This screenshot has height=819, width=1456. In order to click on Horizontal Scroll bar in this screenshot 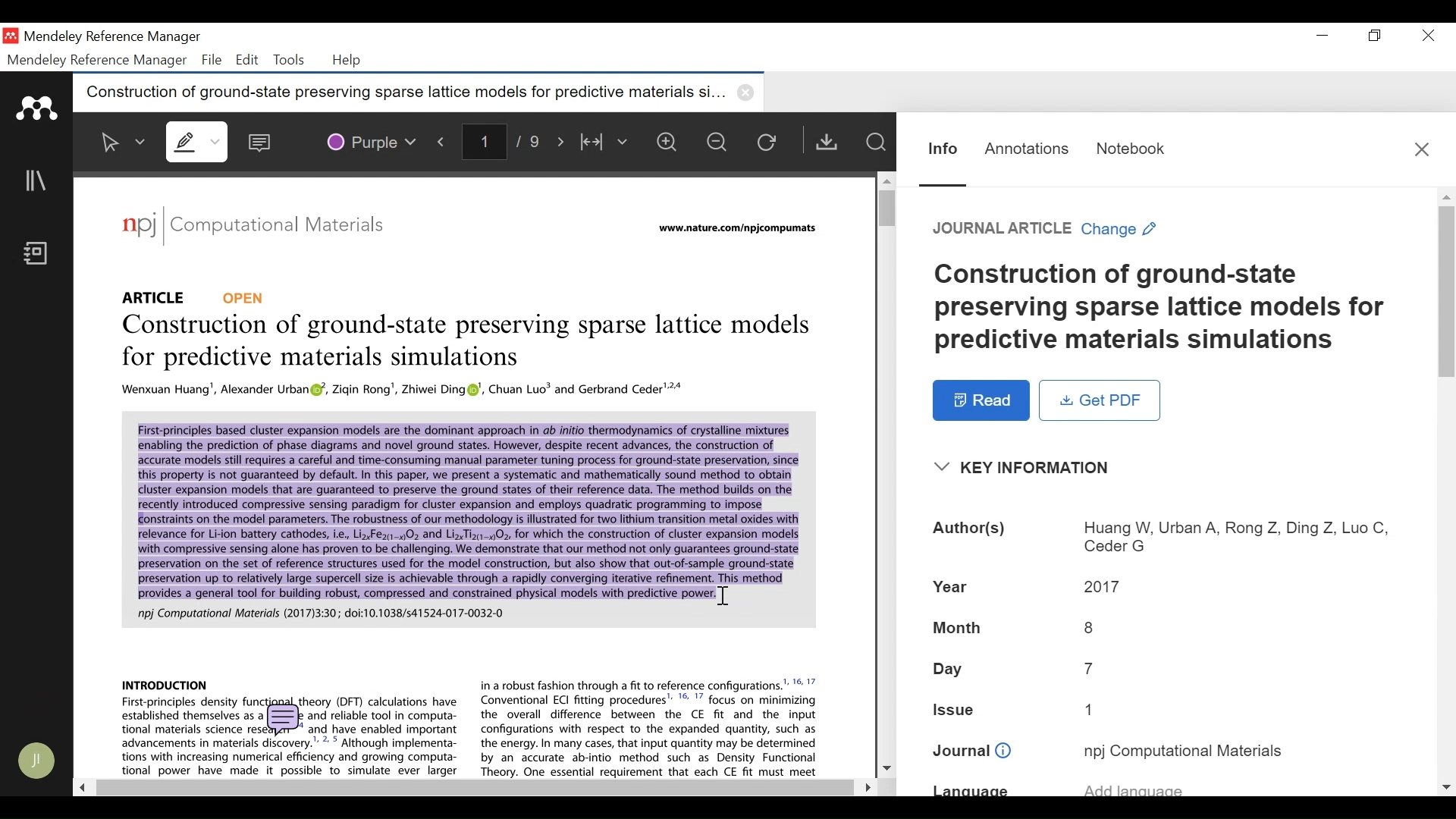, I will do `click(472, 788)`.